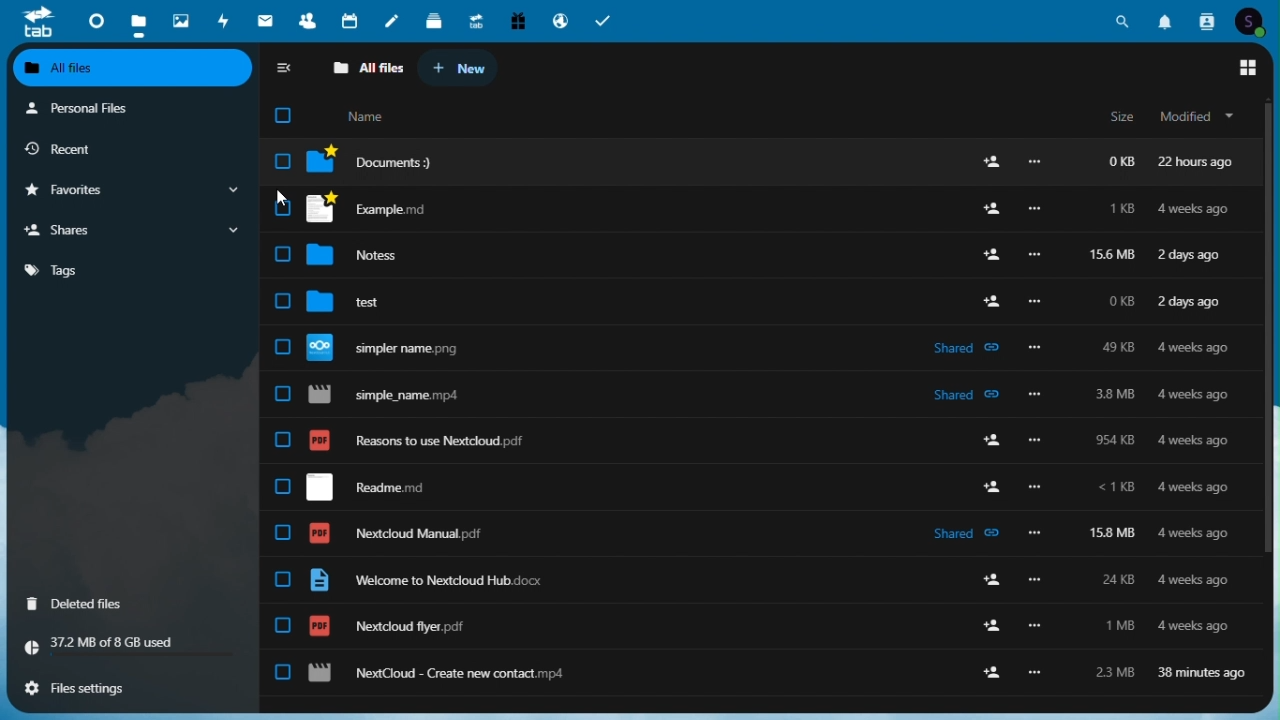 The image size is (1280, 720). I want to click on Account icon, so click(1250, 20).